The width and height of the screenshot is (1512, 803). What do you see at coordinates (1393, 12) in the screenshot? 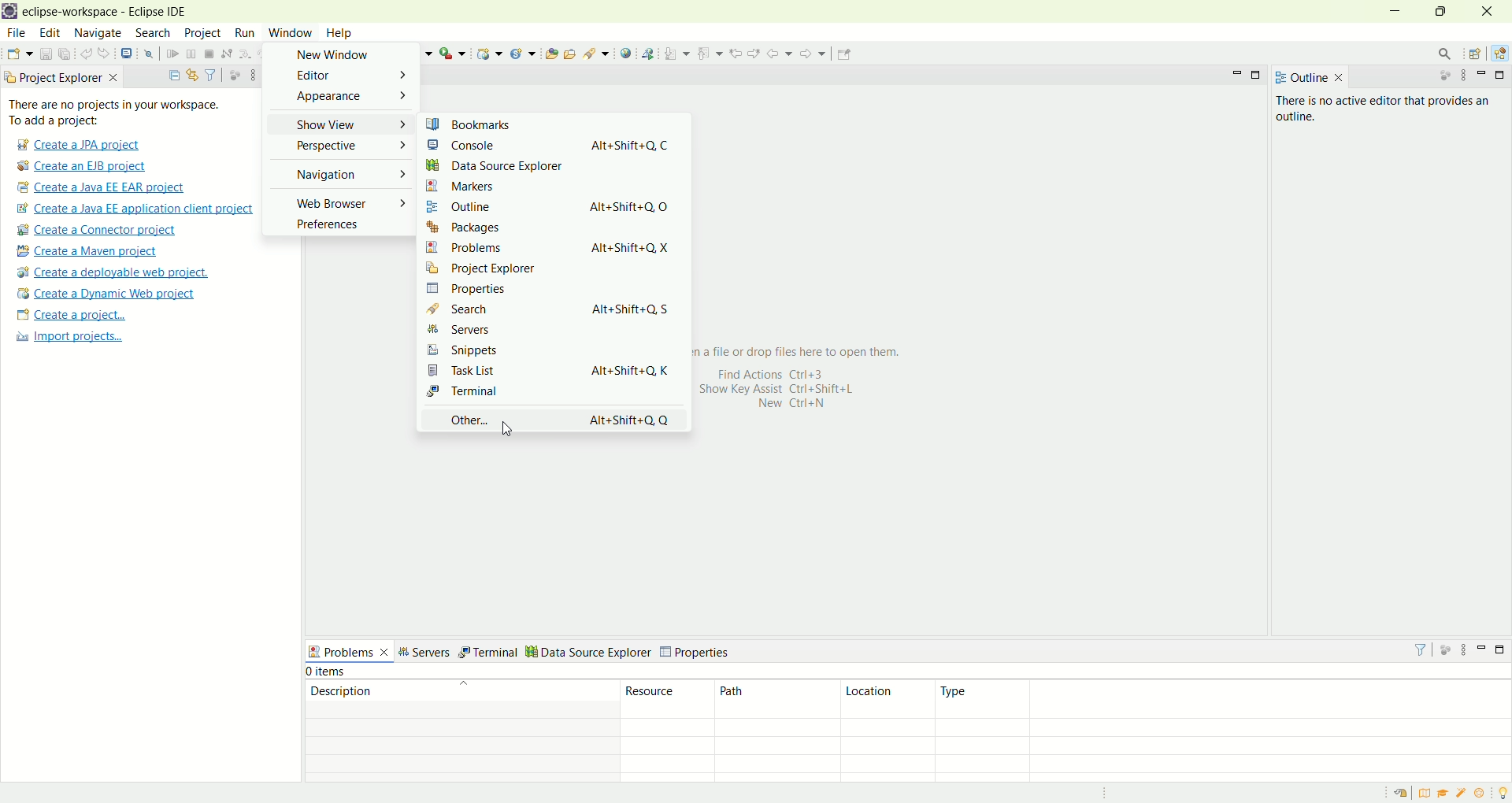
I see `minimize` at bounding box center [1393, 12].